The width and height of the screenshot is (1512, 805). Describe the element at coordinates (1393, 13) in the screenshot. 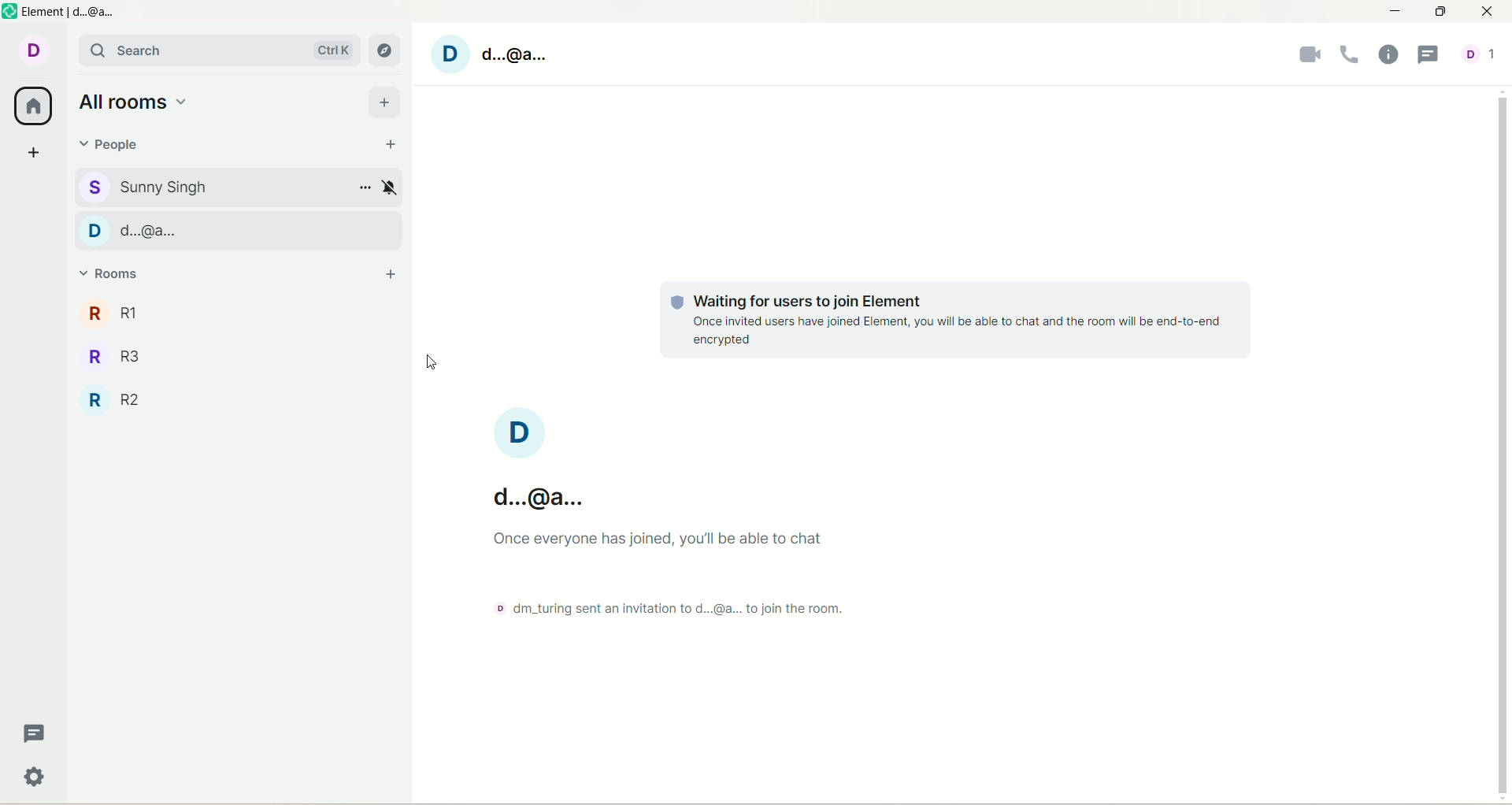

I see `minimize` at that location.